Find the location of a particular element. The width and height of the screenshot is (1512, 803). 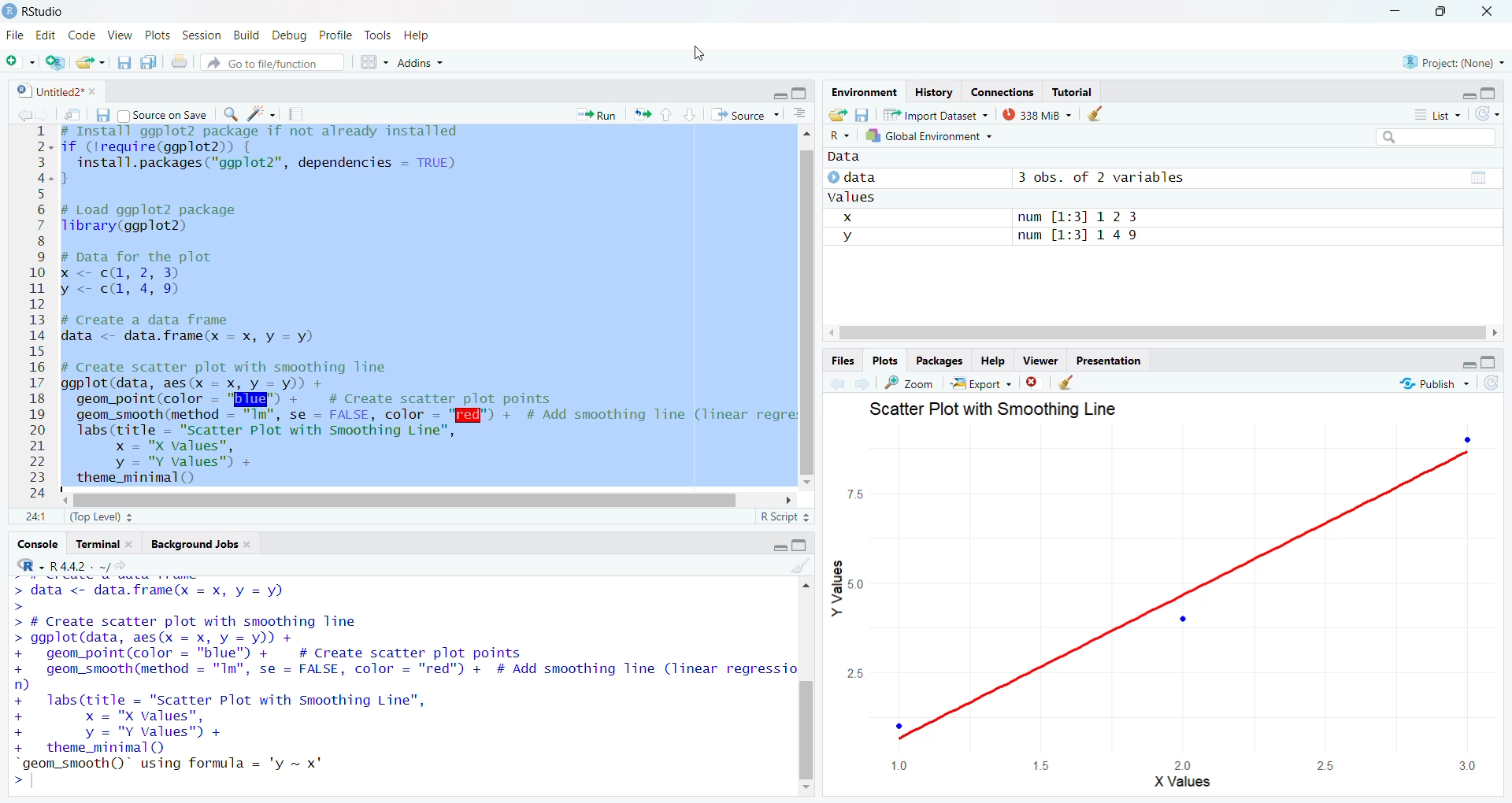

background Jobs is located at coordinates (199, 545).